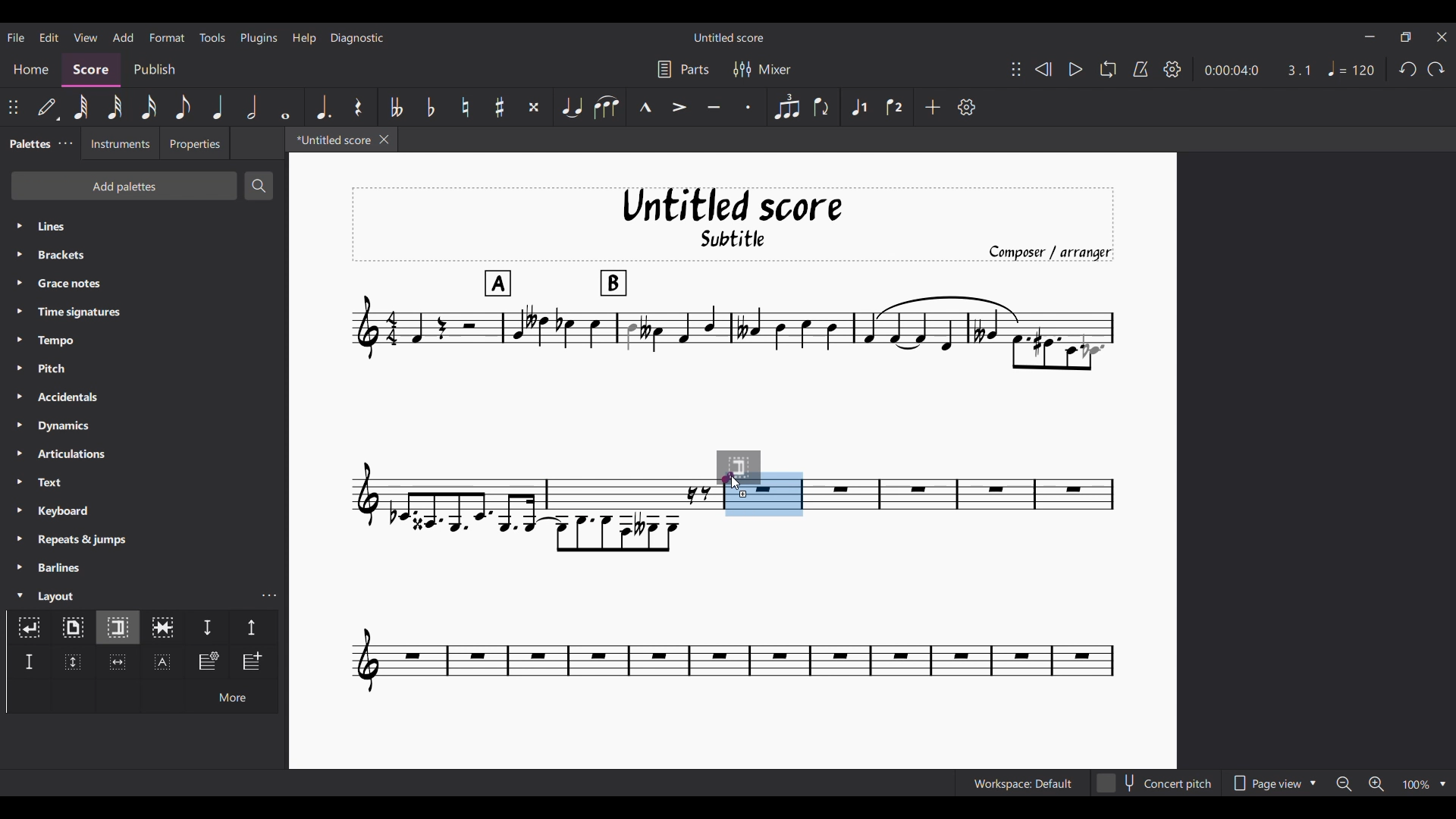  What do you see at coordinates (48, 107) in the screenshot?
I see `Default` at bounding box center [48, 107].